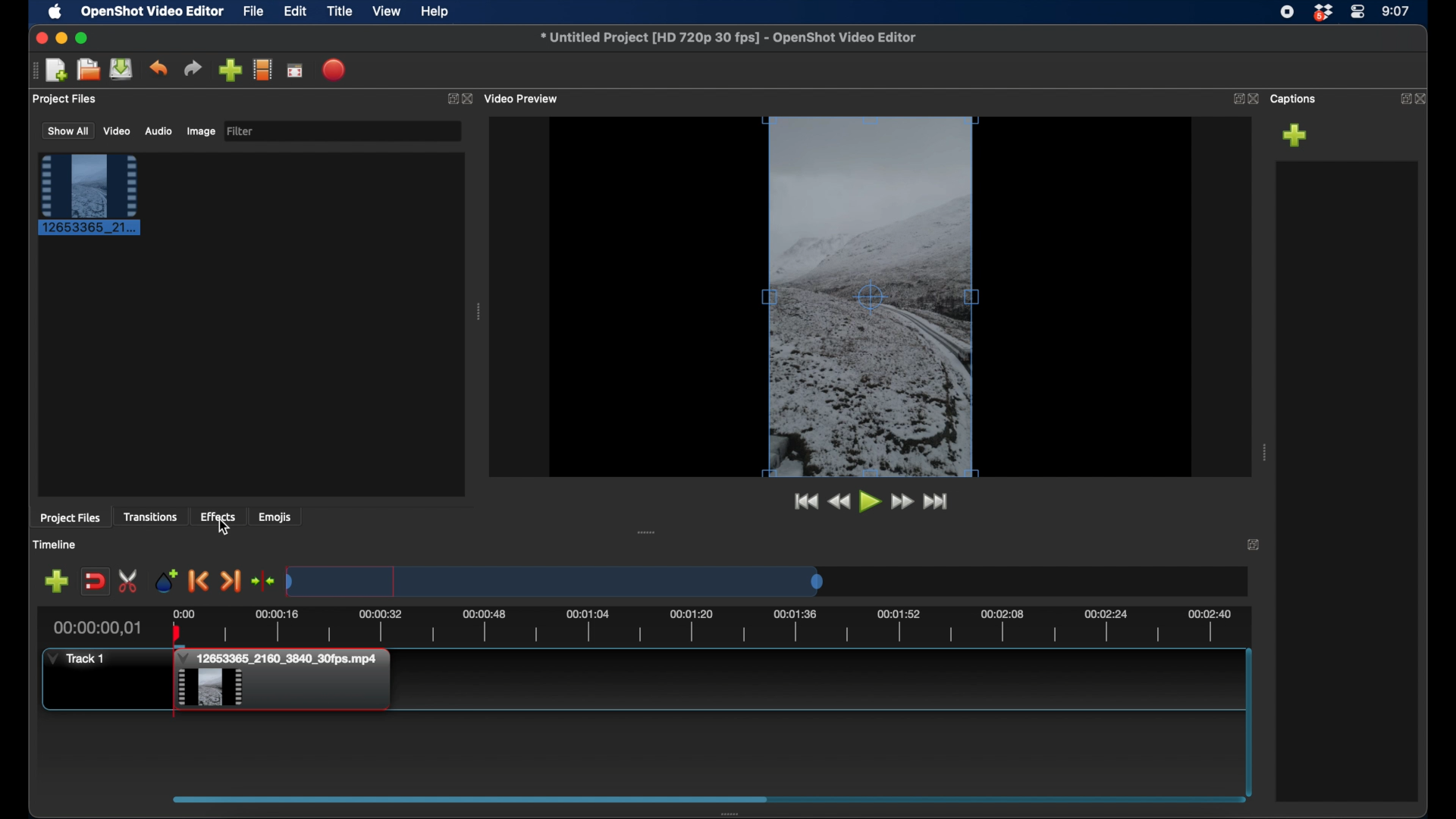 The image size is (1456, 819). What do you see at coordinates (554, 581) in the screenshot?
I see `timeline scale` at bounding box center [554, 581].